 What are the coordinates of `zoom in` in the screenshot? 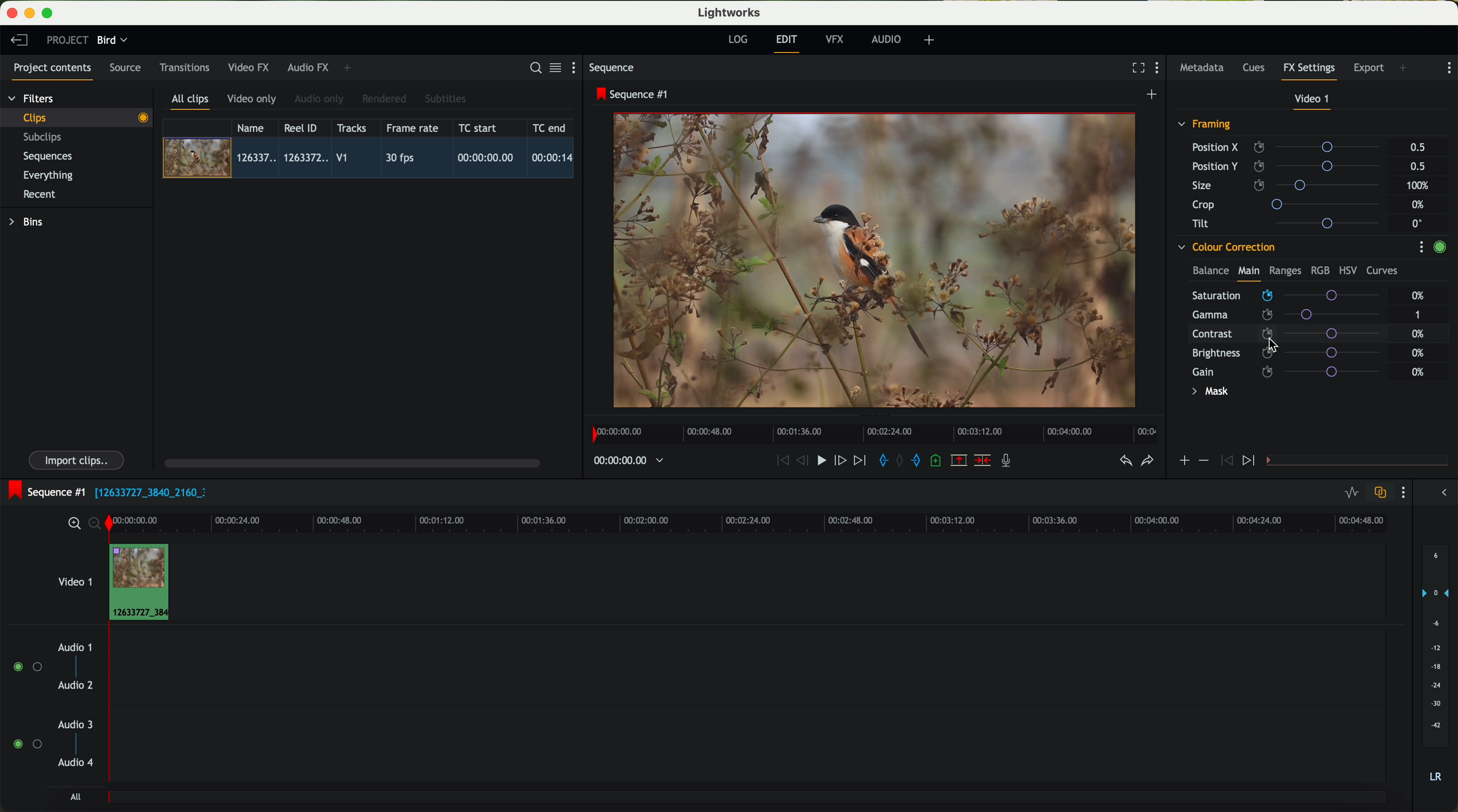 It's located at (72, 524).